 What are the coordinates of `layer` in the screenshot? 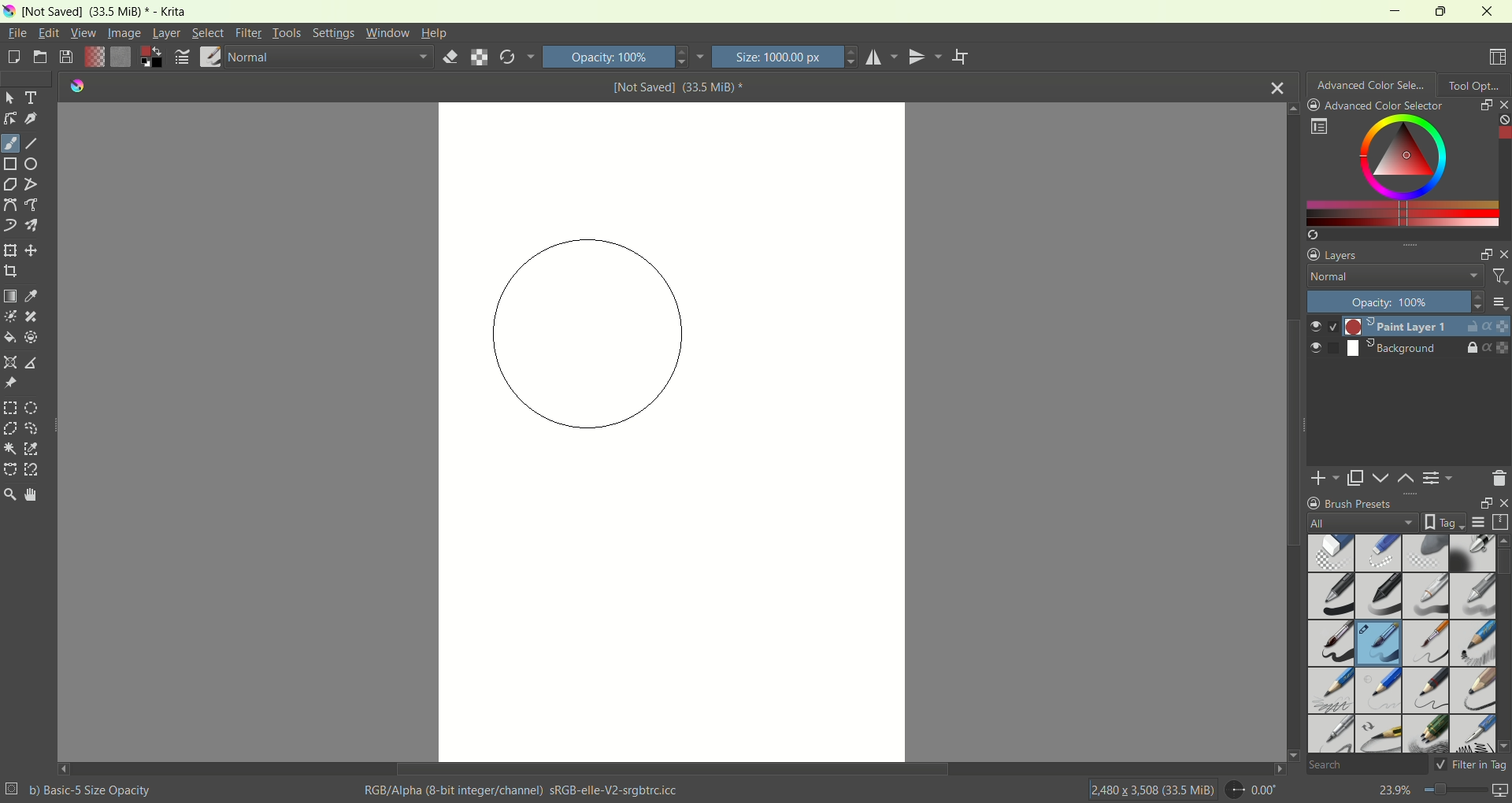 It's located at (166, 35).